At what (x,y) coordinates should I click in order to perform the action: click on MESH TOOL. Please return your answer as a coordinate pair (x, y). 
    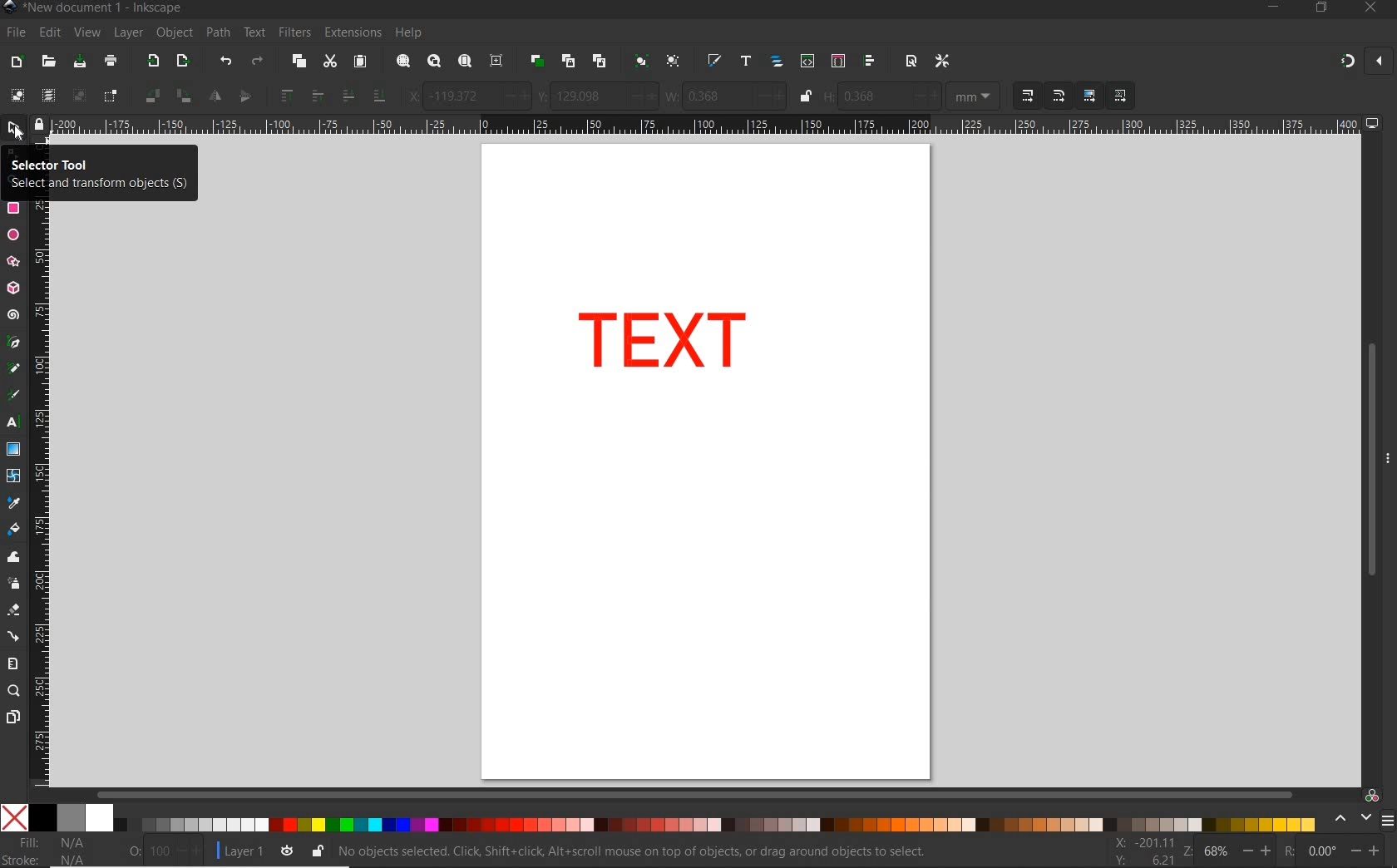
    Looking at the image, I should click on (15, 475).